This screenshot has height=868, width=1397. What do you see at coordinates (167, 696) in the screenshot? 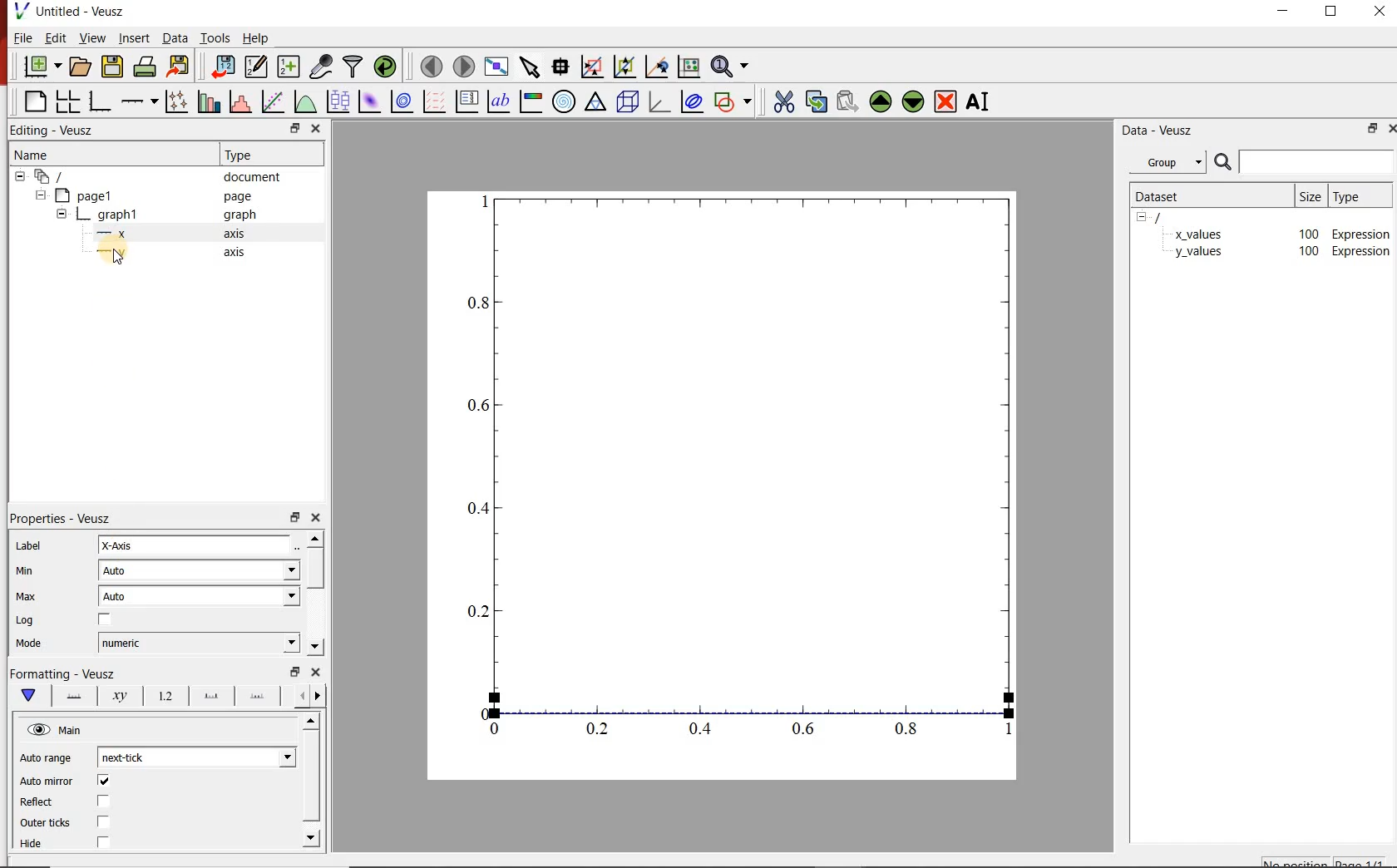
I see `tick label` at bounding box center [167, 696].